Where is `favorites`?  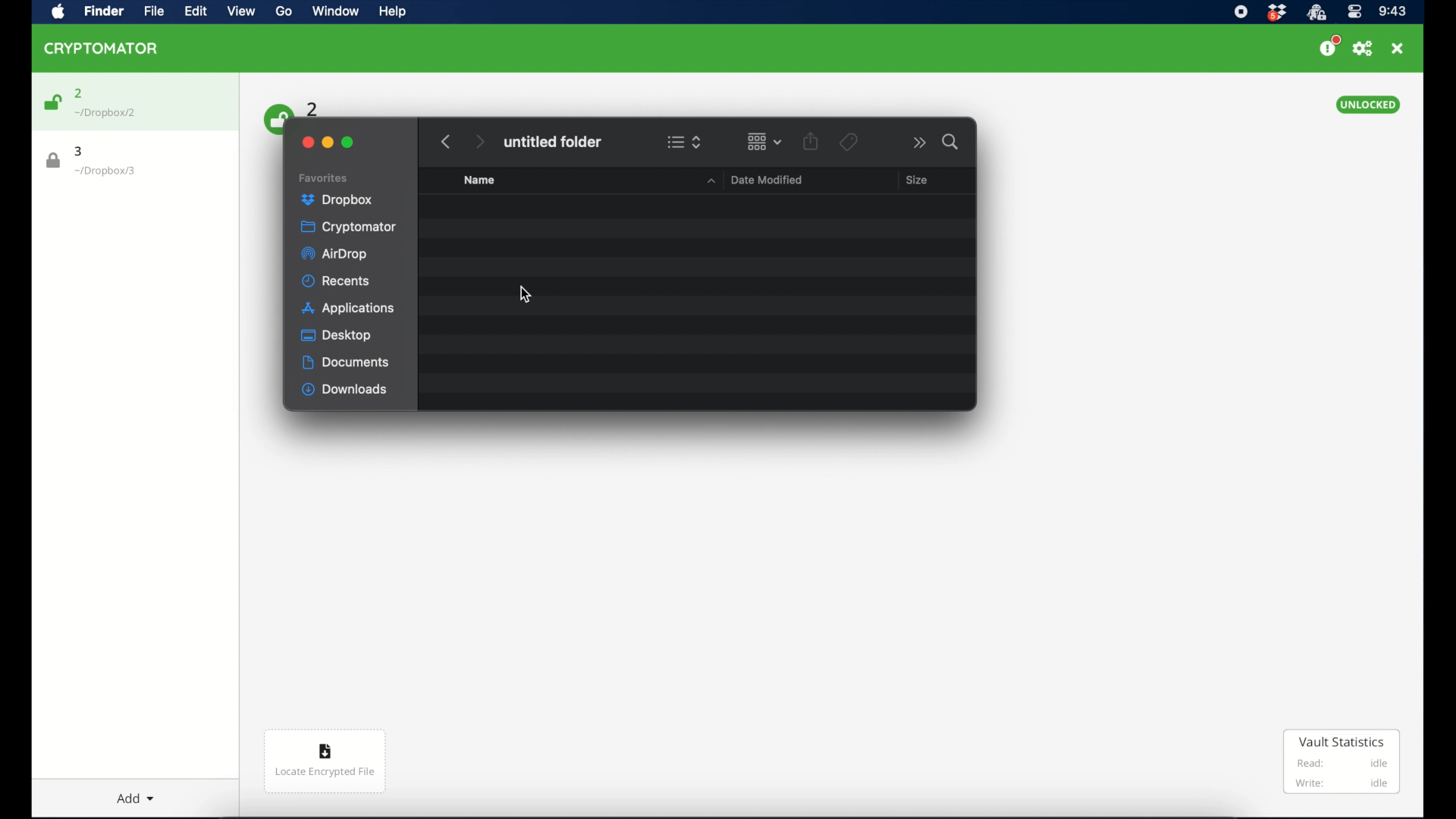
favorites is located at coordinates (324, 178).